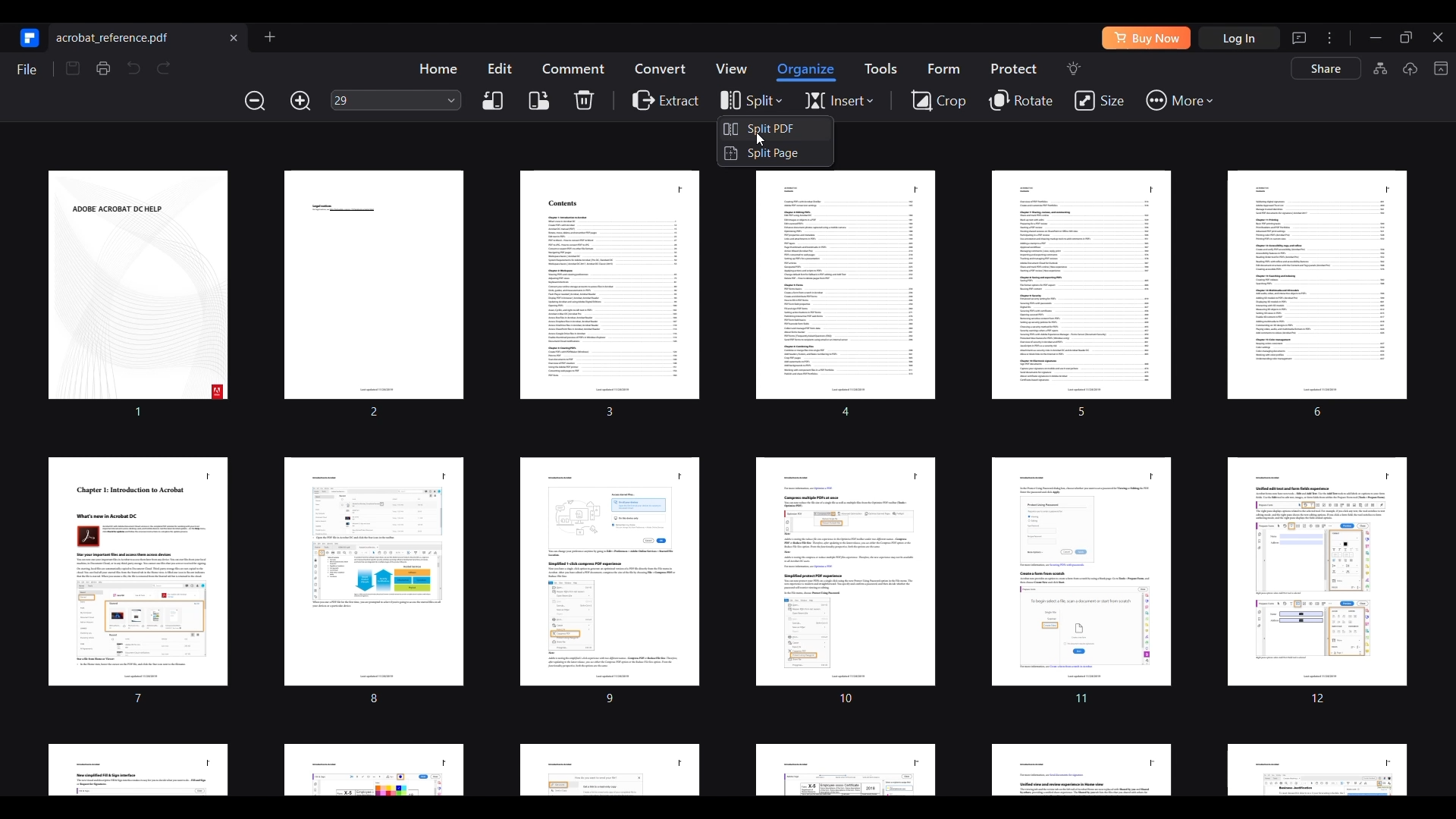  I want to click on Split page options, so click(750, 101).